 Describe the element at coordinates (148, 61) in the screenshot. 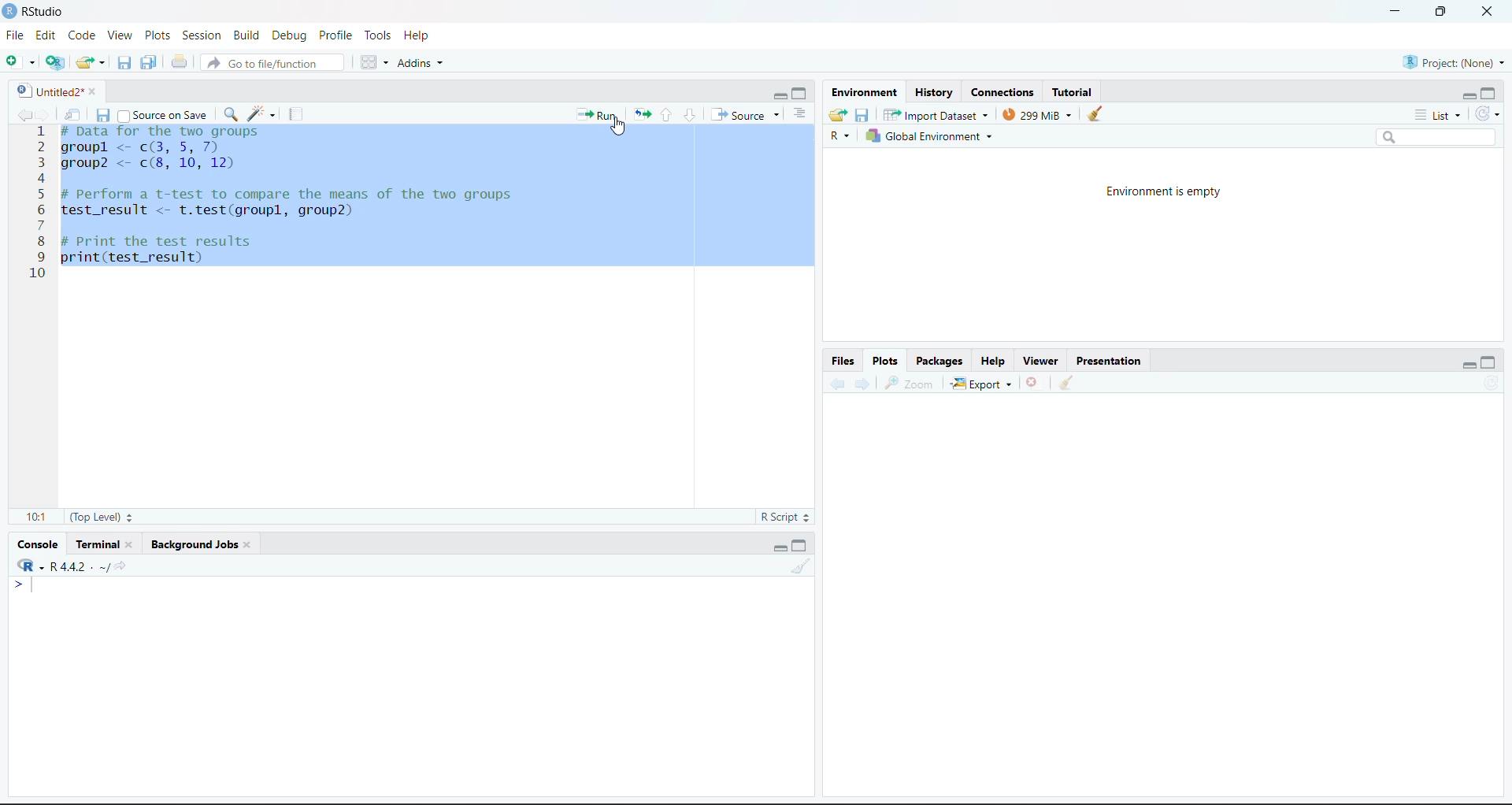

I see `save all open documents` at that location.